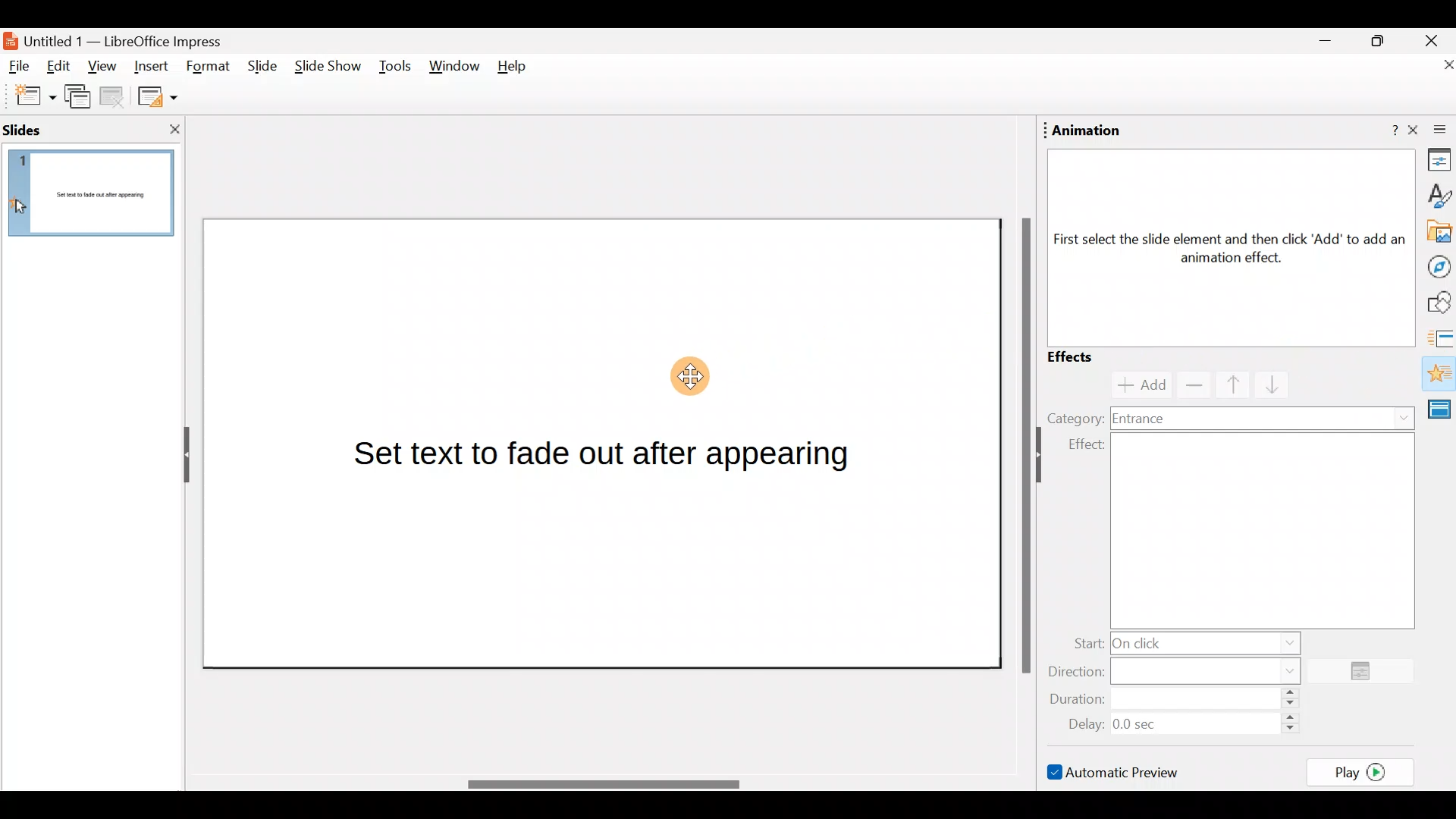  Describe the element at coordinates (1184, 670) in the screenshot. I see `Direction` at that location.